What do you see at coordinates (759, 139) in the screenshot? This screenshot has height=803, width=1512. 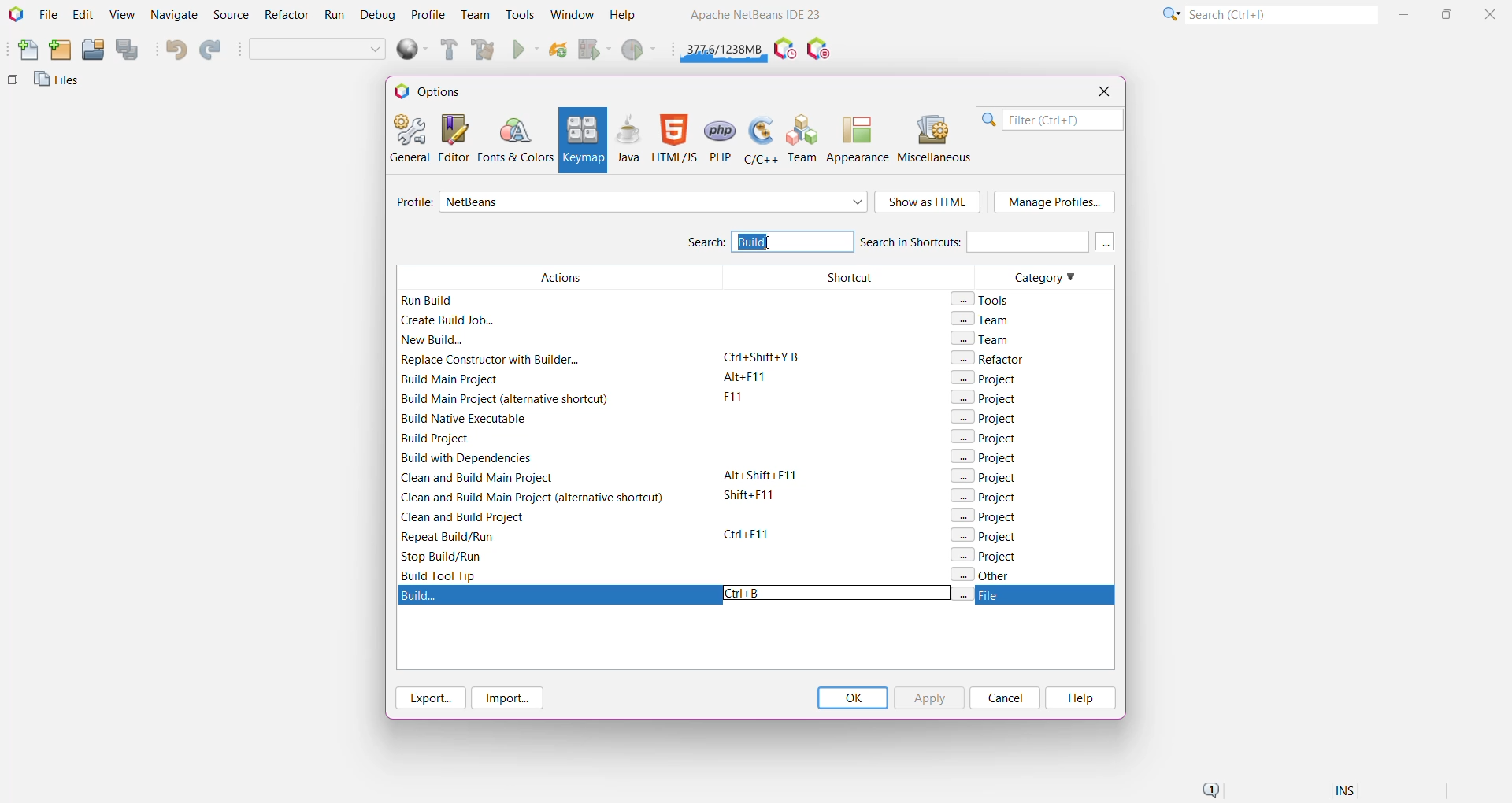 I see `C/C++` at bounding box center [759, 139].